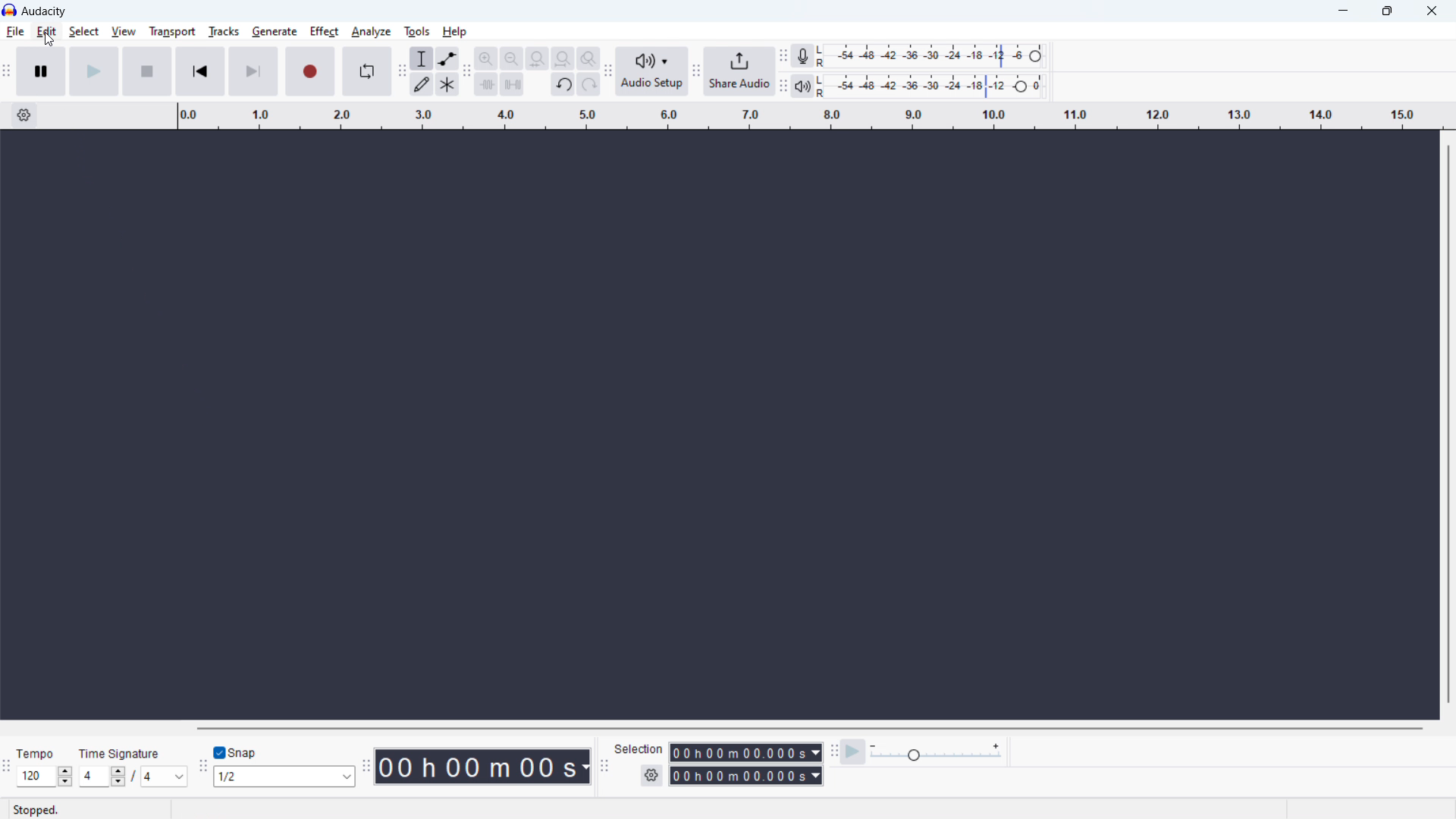 The image size is (1456, 819). I want to click on Cursor, so click(50, 39).